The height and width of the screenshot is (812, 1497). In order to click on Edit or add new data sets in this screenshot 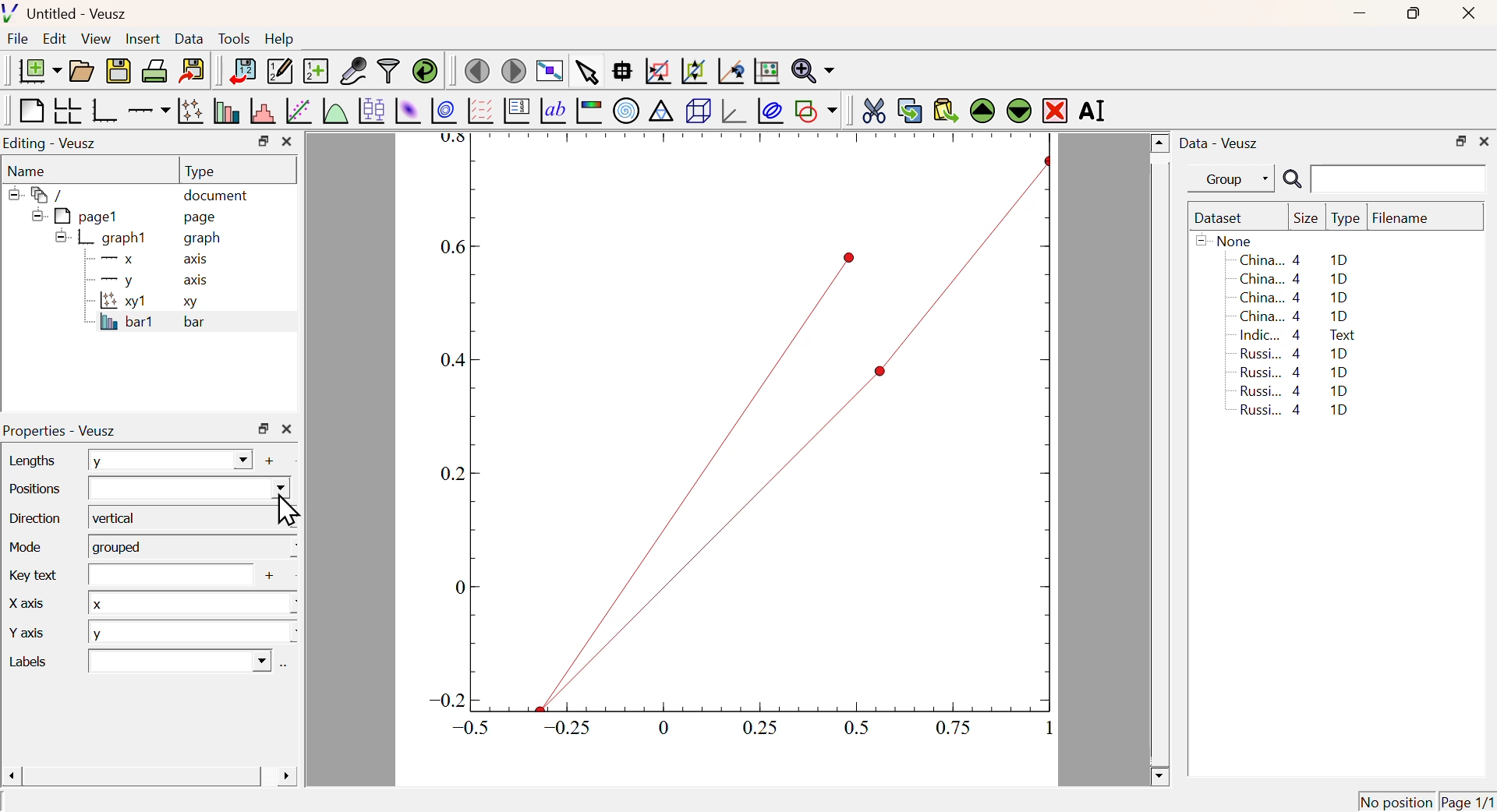, I will do `click(278, 72)`.